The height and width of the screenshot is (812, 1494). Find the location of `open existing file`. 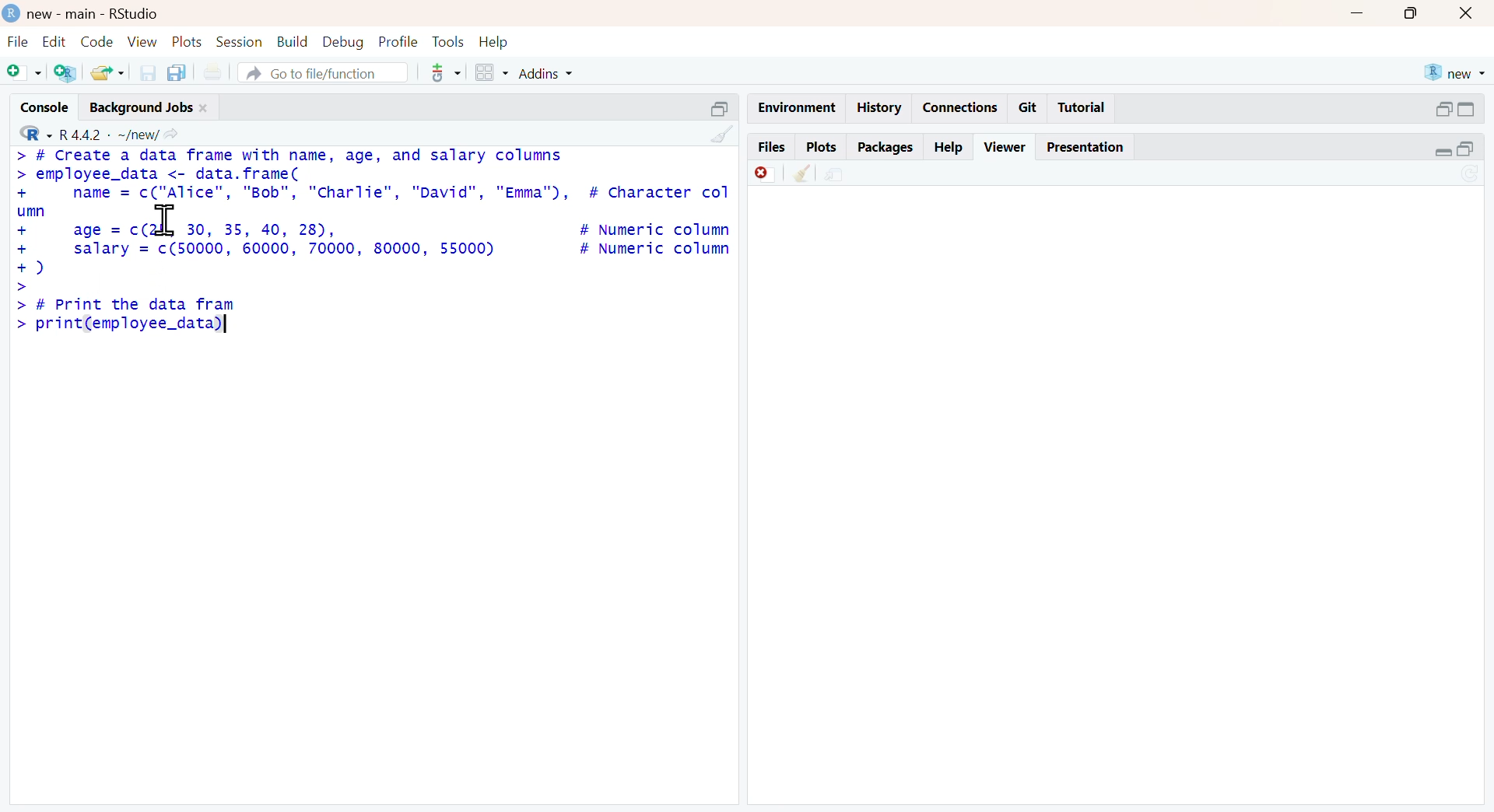

open existing file is located at coordinates (104, 72).